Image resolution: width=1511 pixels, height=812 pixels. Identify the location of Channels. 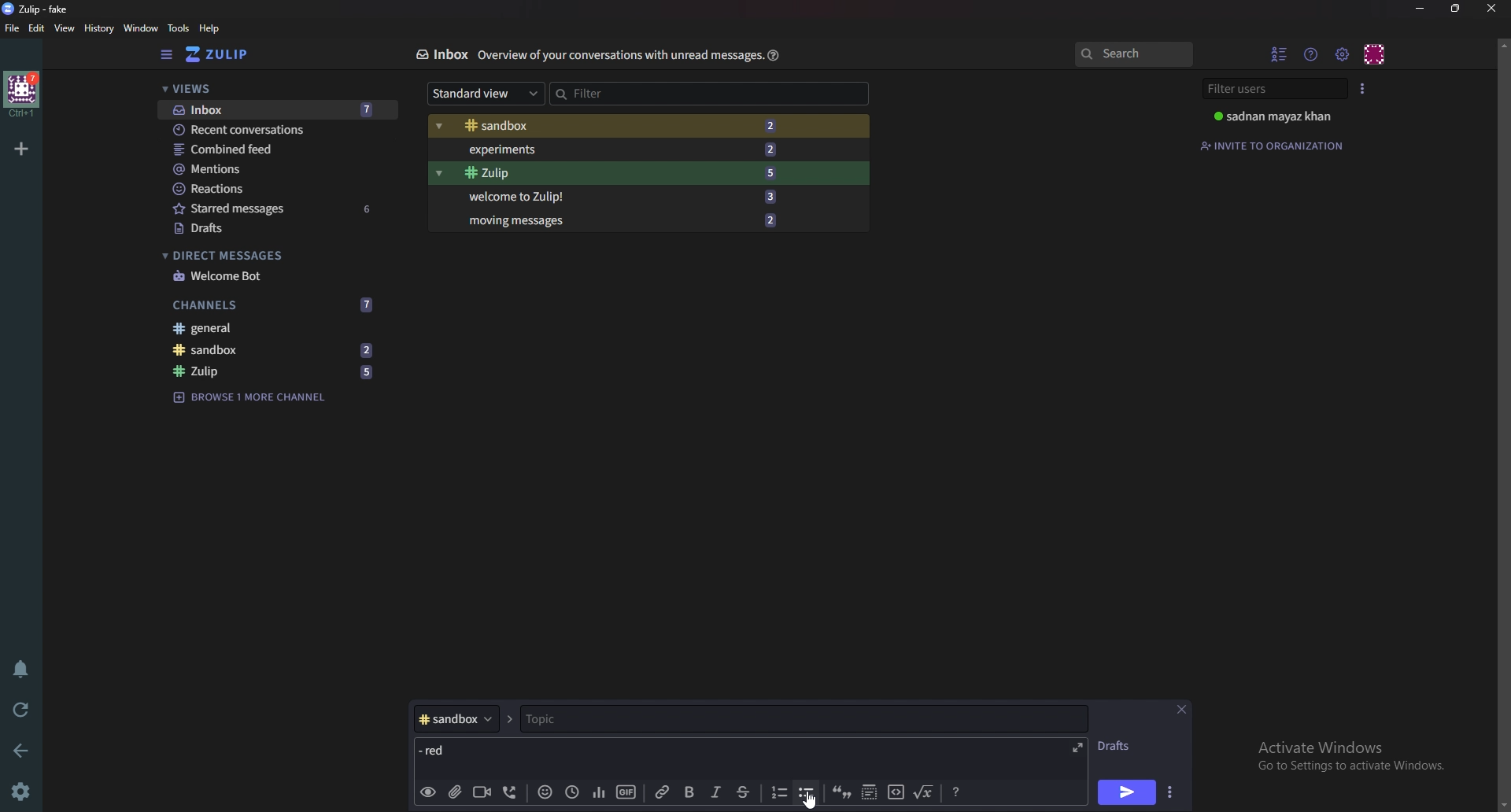
(274, 305).